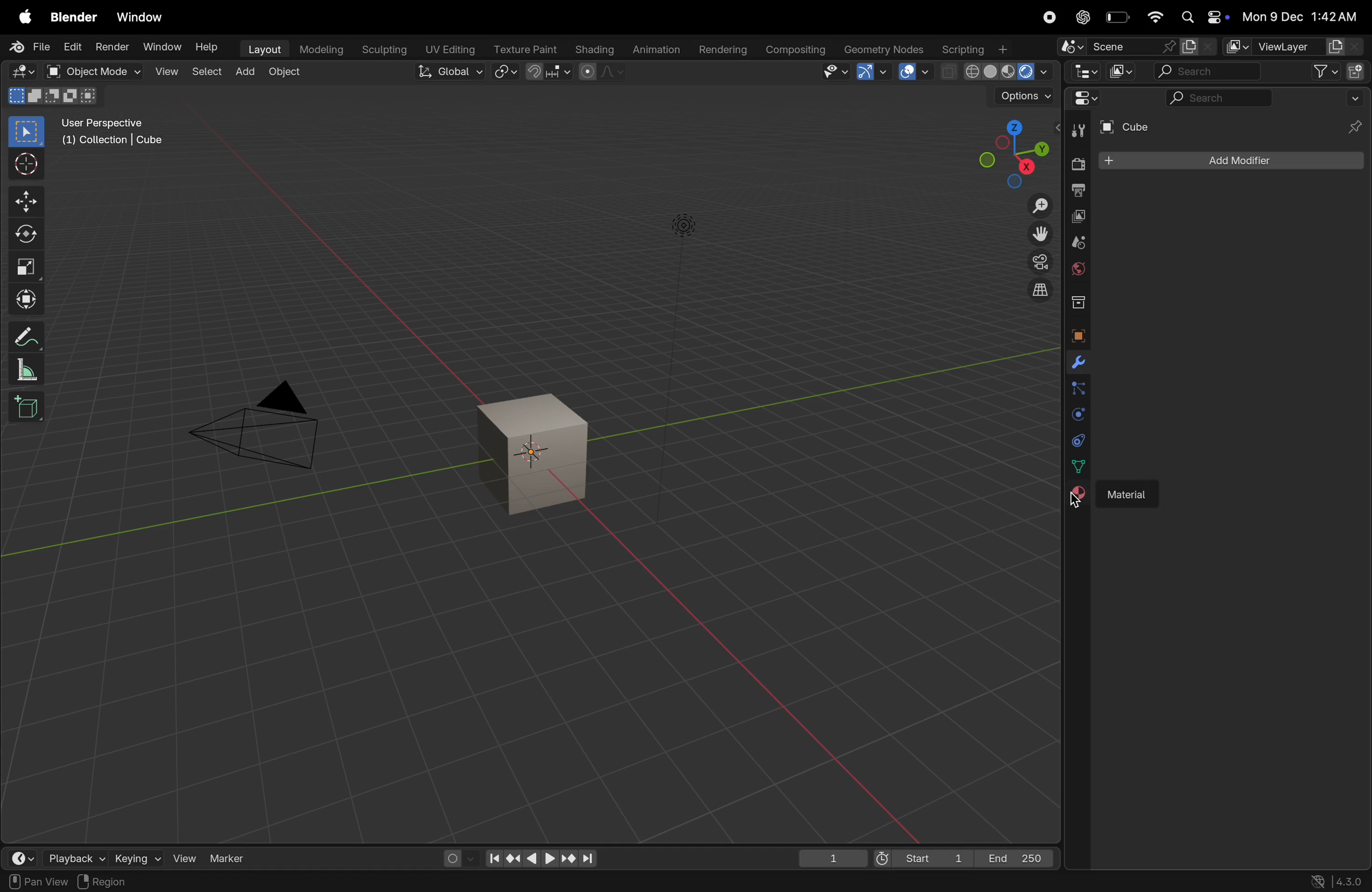 This screenshot has width=1372, height=892. Describe the element at coordinates (601, 71) in the screenshot. I see `proportional editing objects` at that location.